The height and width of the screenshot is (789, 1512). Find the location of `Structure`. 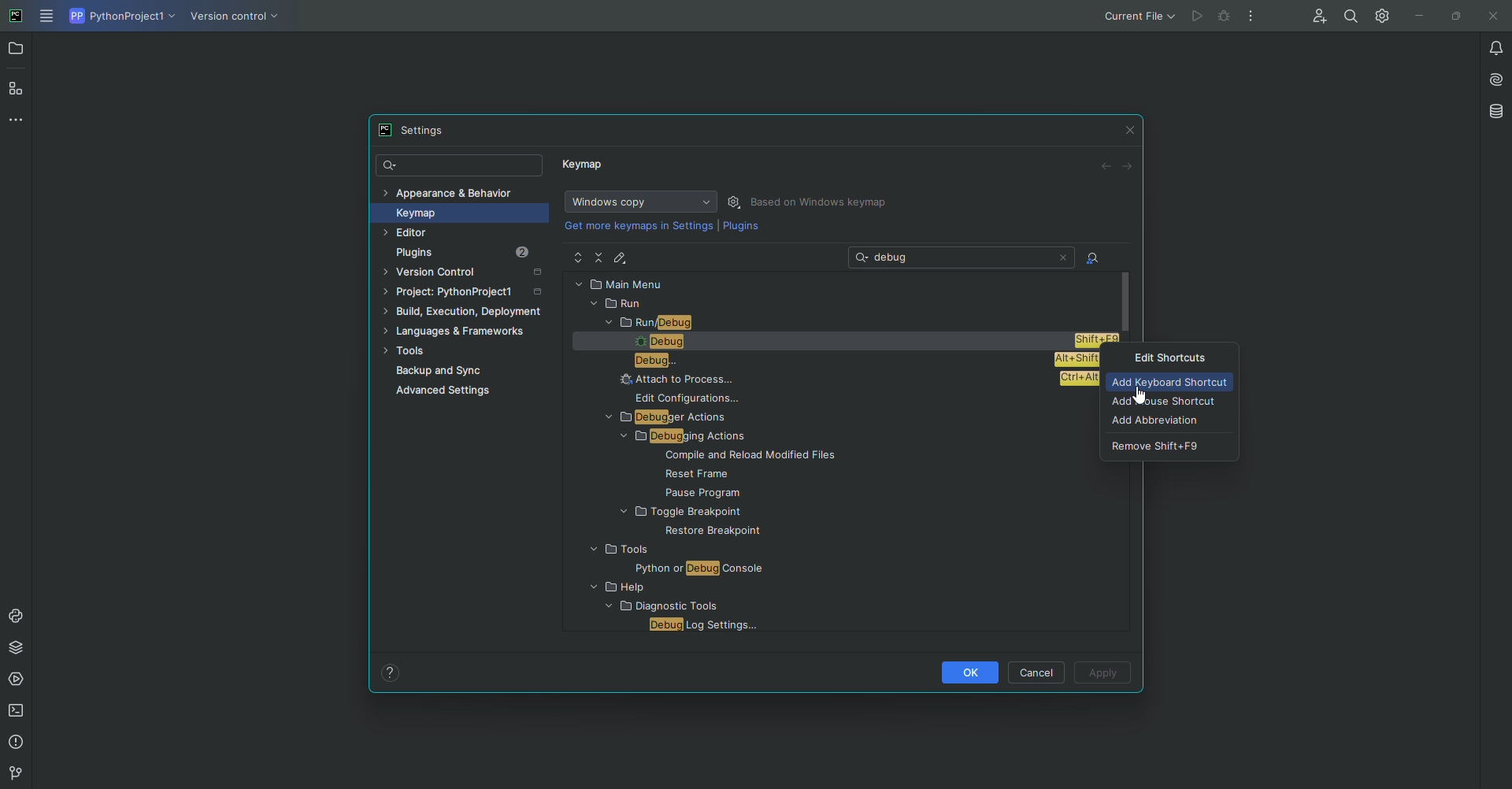

Structure is located at coordinates (17, 87).